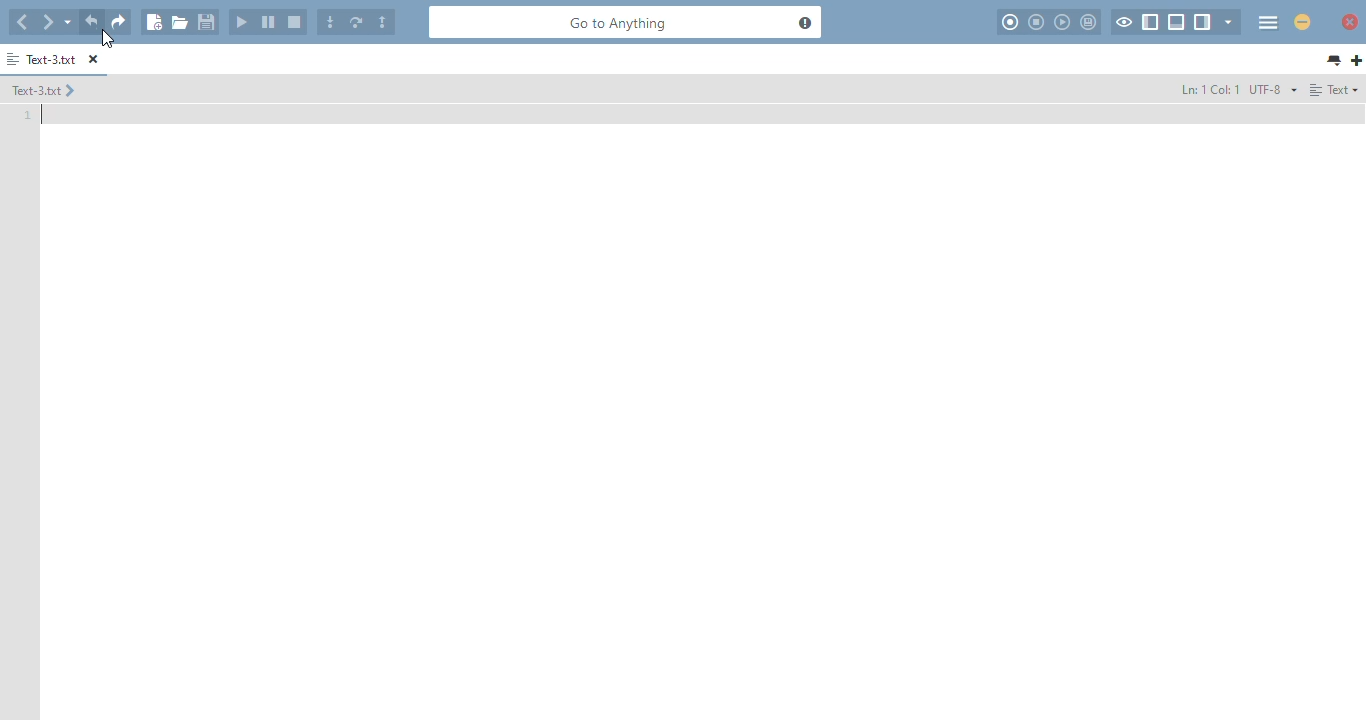 The image size is (1366, 720). Describe the element at coordinates (154, 22) in the screenshot. I see `new file using default language` at that location.